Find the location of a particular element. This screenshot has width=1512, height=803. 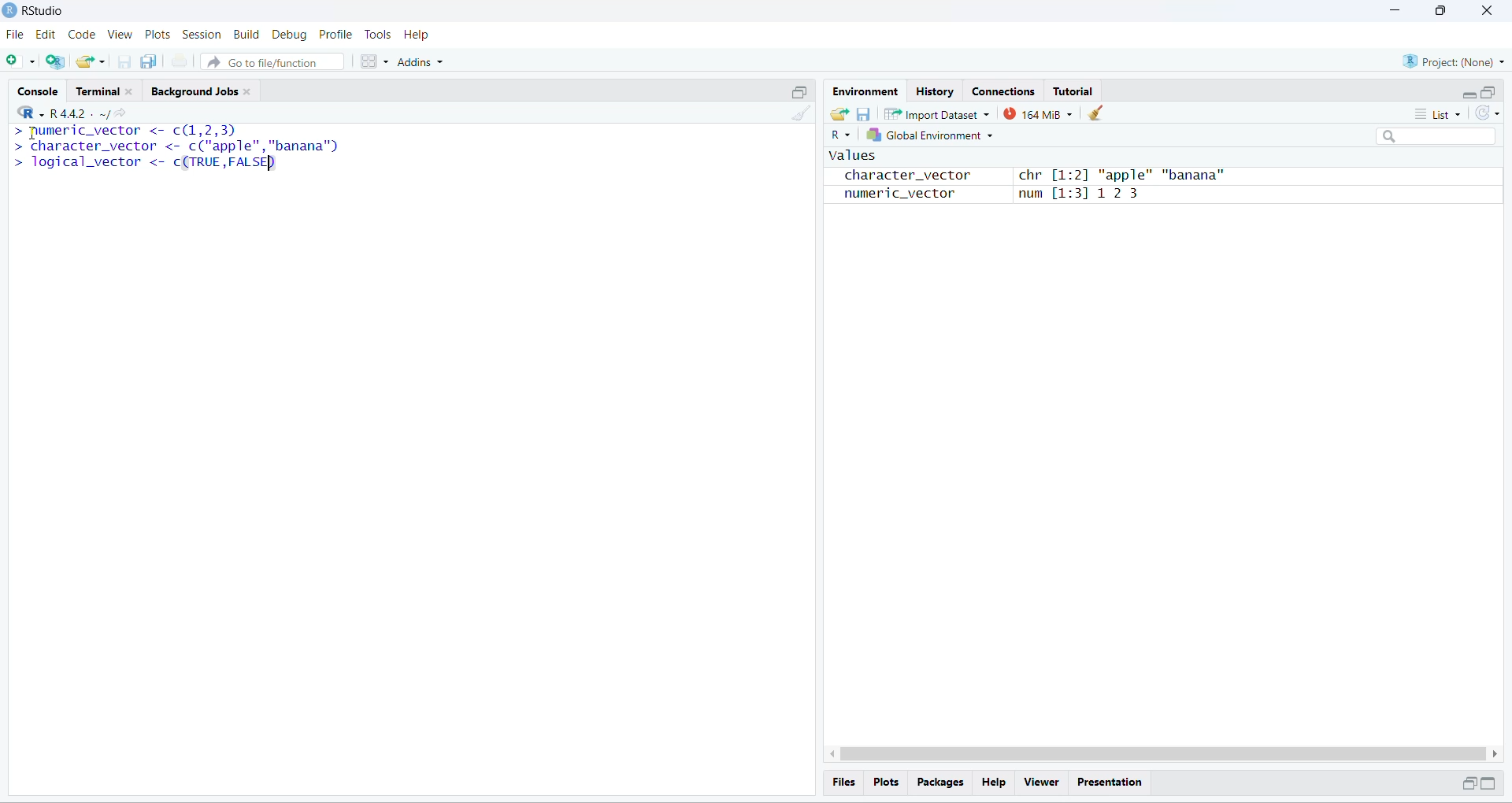

View is located at coordinates (120, 35).